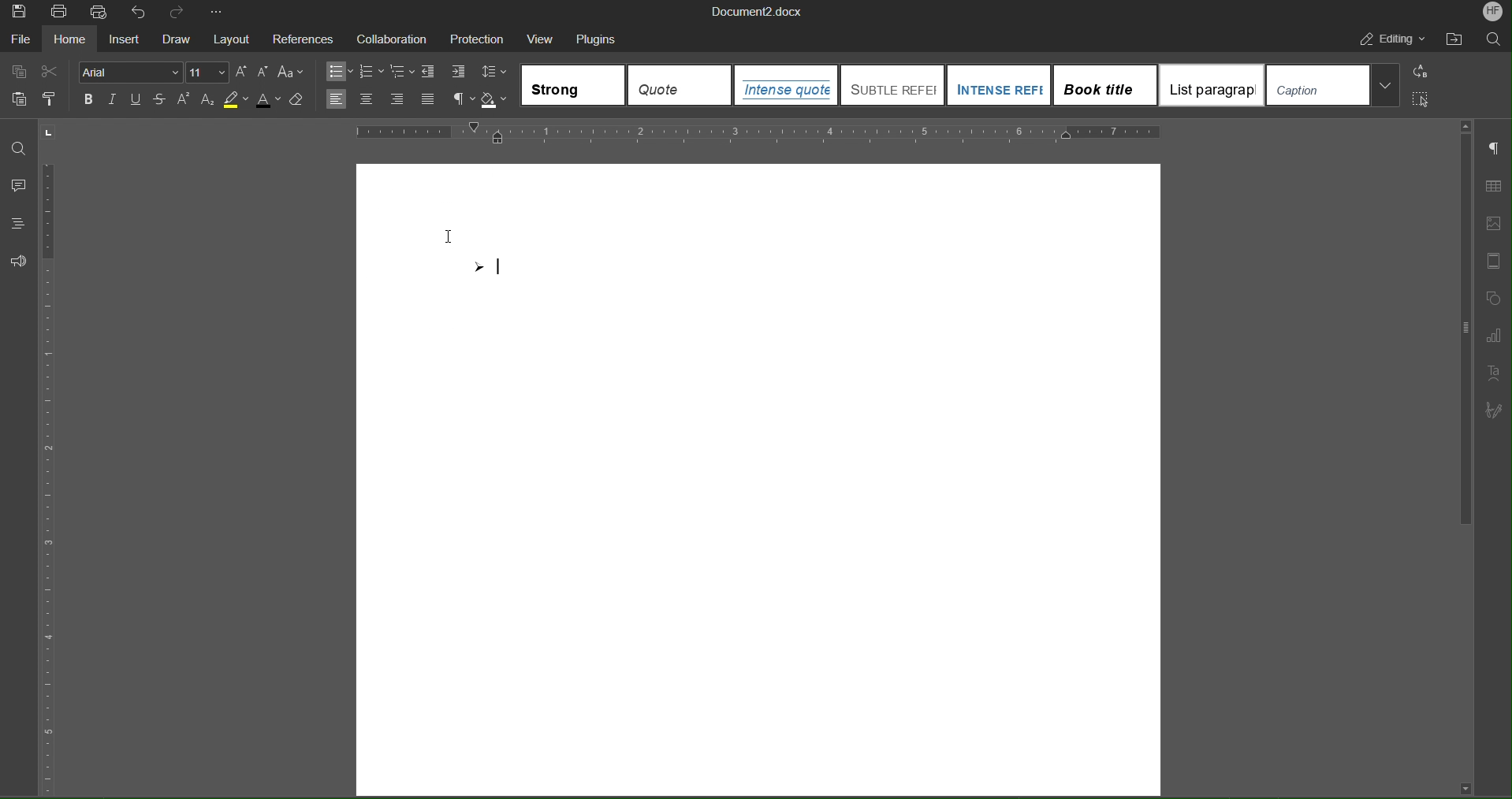 This screenshot has height=799, width=1512. I want to click on Horizontal Ruler, so click(759, 132).